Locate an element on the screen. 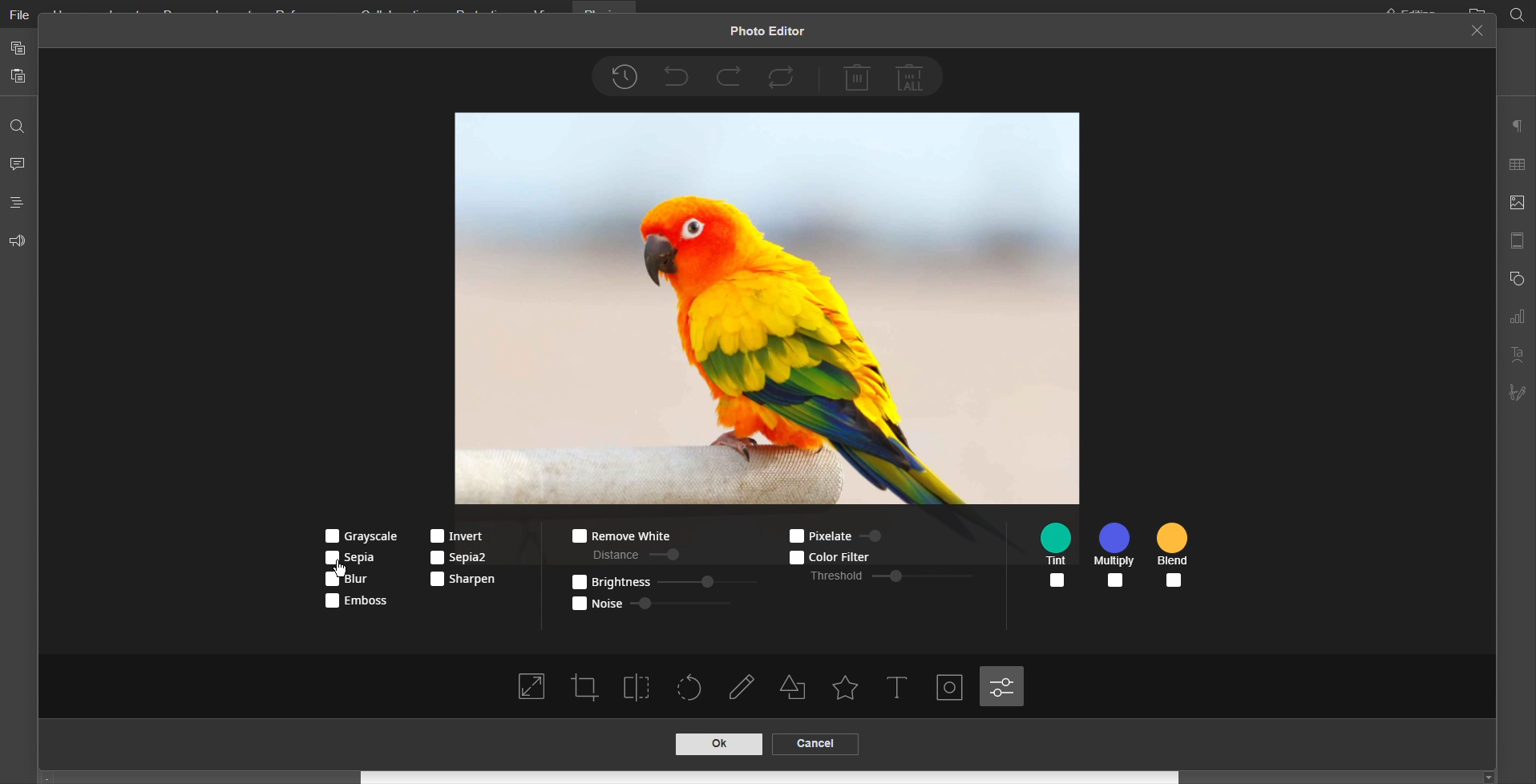 Image resolution: width=1536 pixels, height=784 pixels. Shape Settings is located at coordinates (1515, 279).